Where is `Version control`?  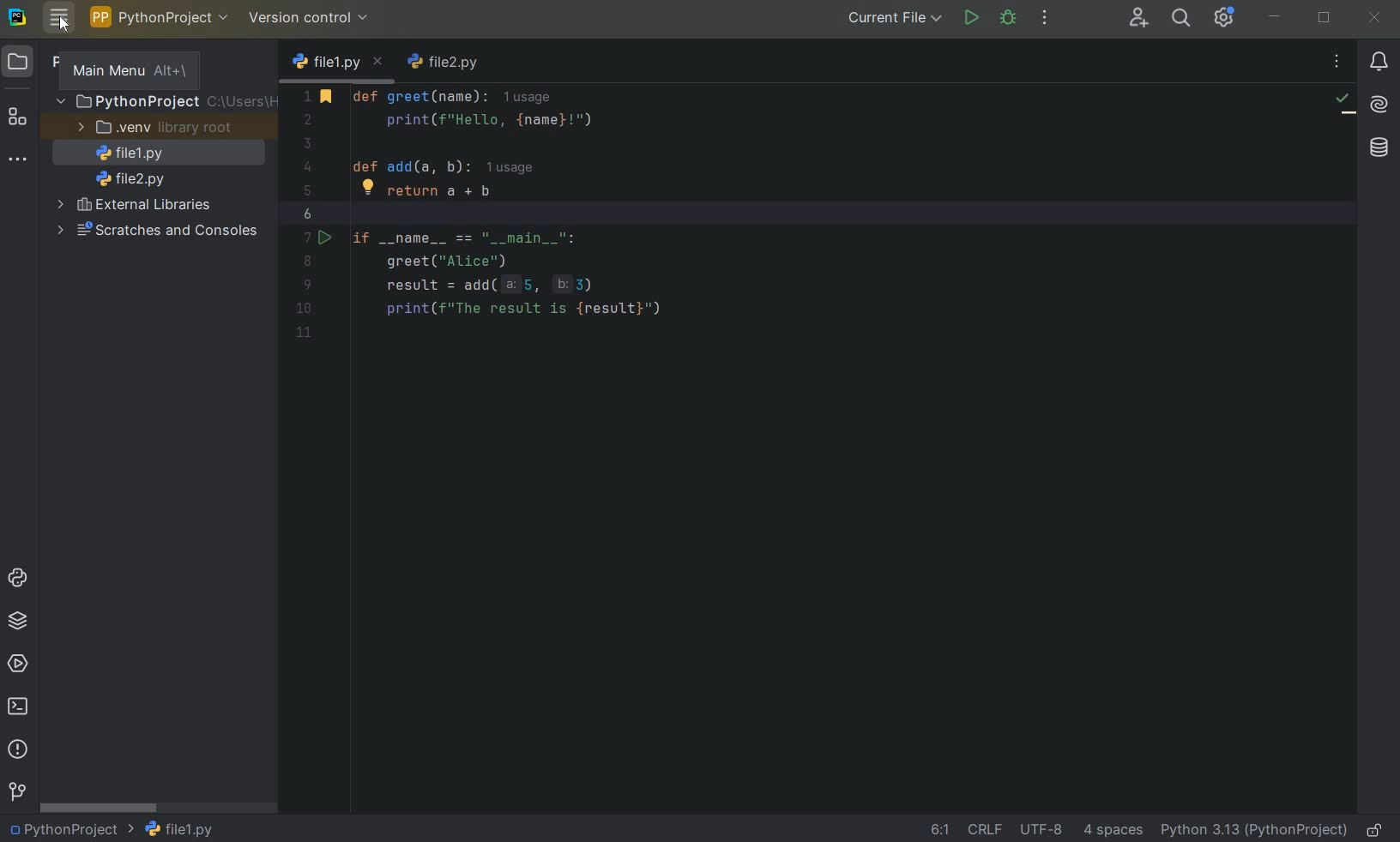 Version control is located at coordinates (16, 791).